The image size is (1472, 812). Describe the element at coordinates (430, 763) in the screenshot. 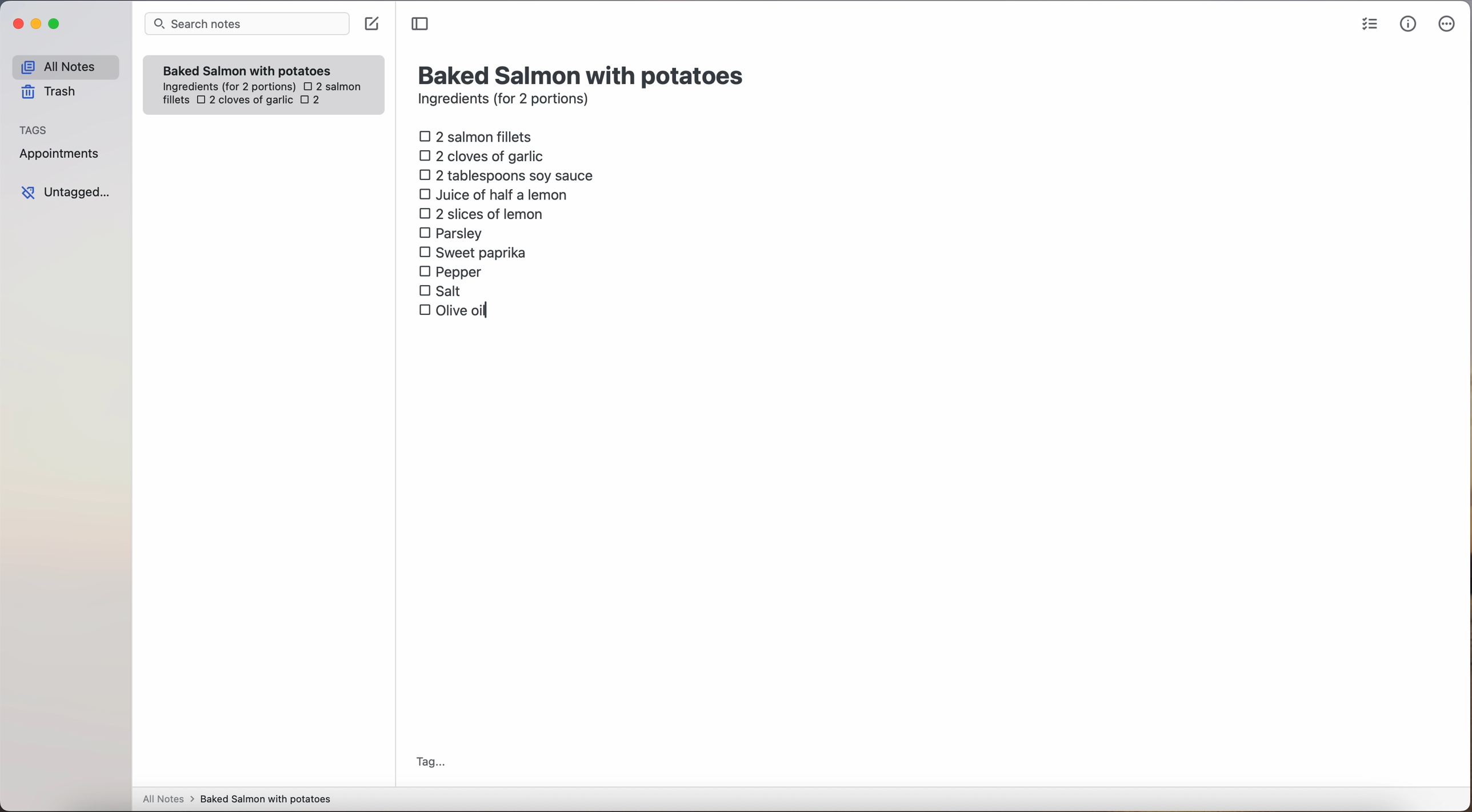

I see `tag` at that location.